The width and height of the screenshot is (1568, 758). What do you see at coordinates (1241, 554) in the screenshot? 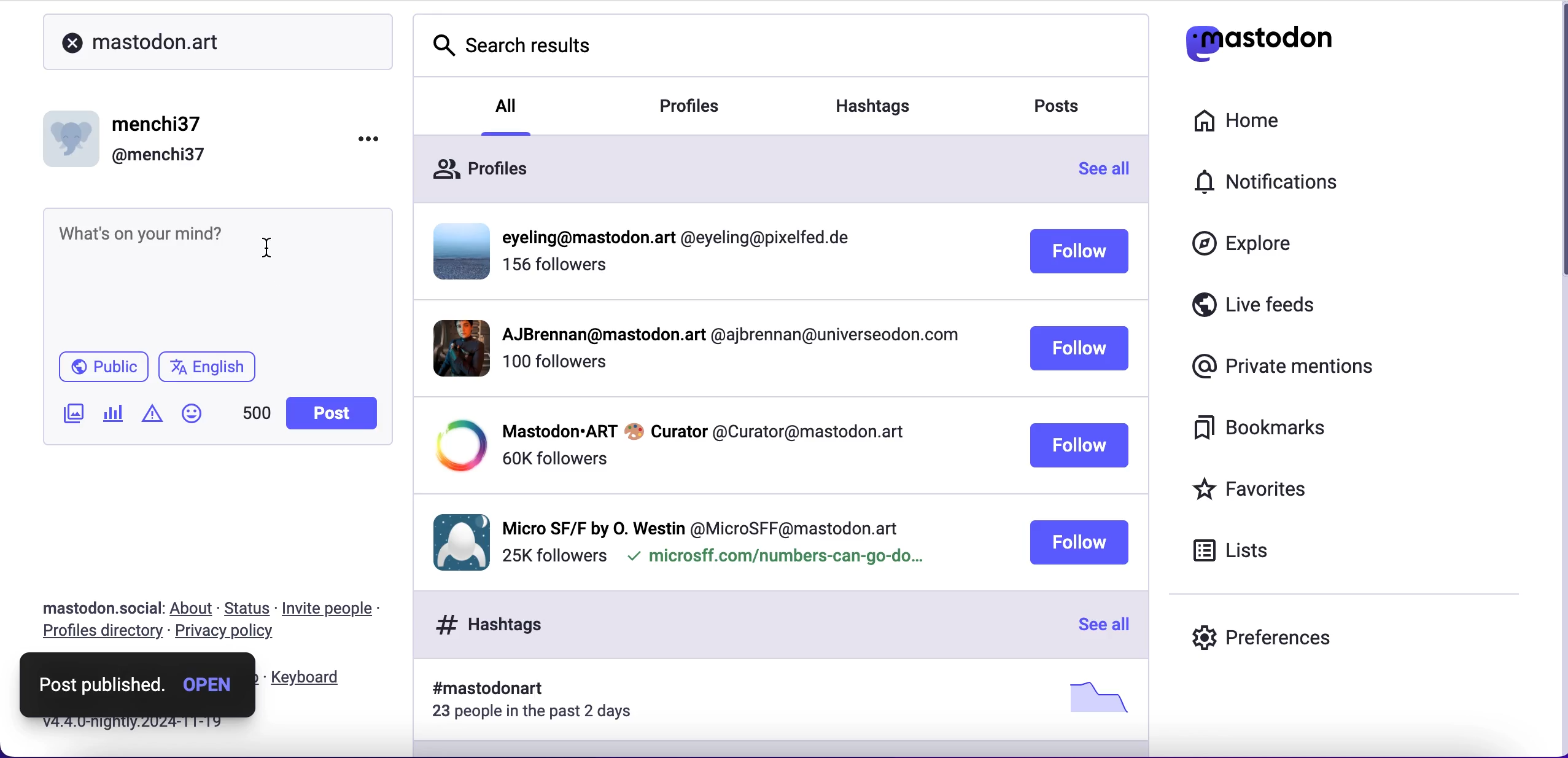
I see `lists` at bounding box center [1241, 554].